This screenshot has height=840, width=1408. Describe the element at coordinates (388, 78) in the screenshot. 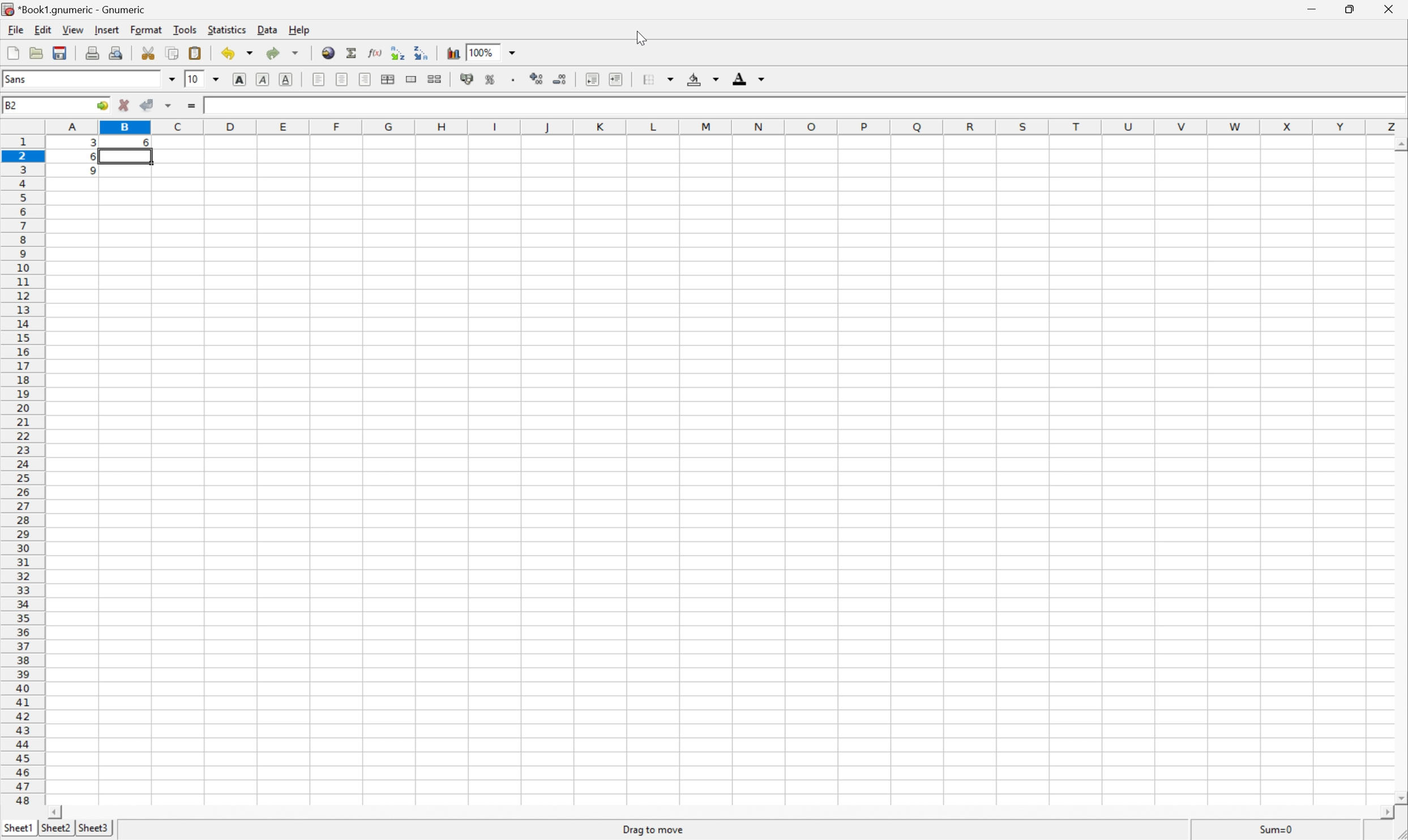

I see `Center horizontally across selection` at that location.